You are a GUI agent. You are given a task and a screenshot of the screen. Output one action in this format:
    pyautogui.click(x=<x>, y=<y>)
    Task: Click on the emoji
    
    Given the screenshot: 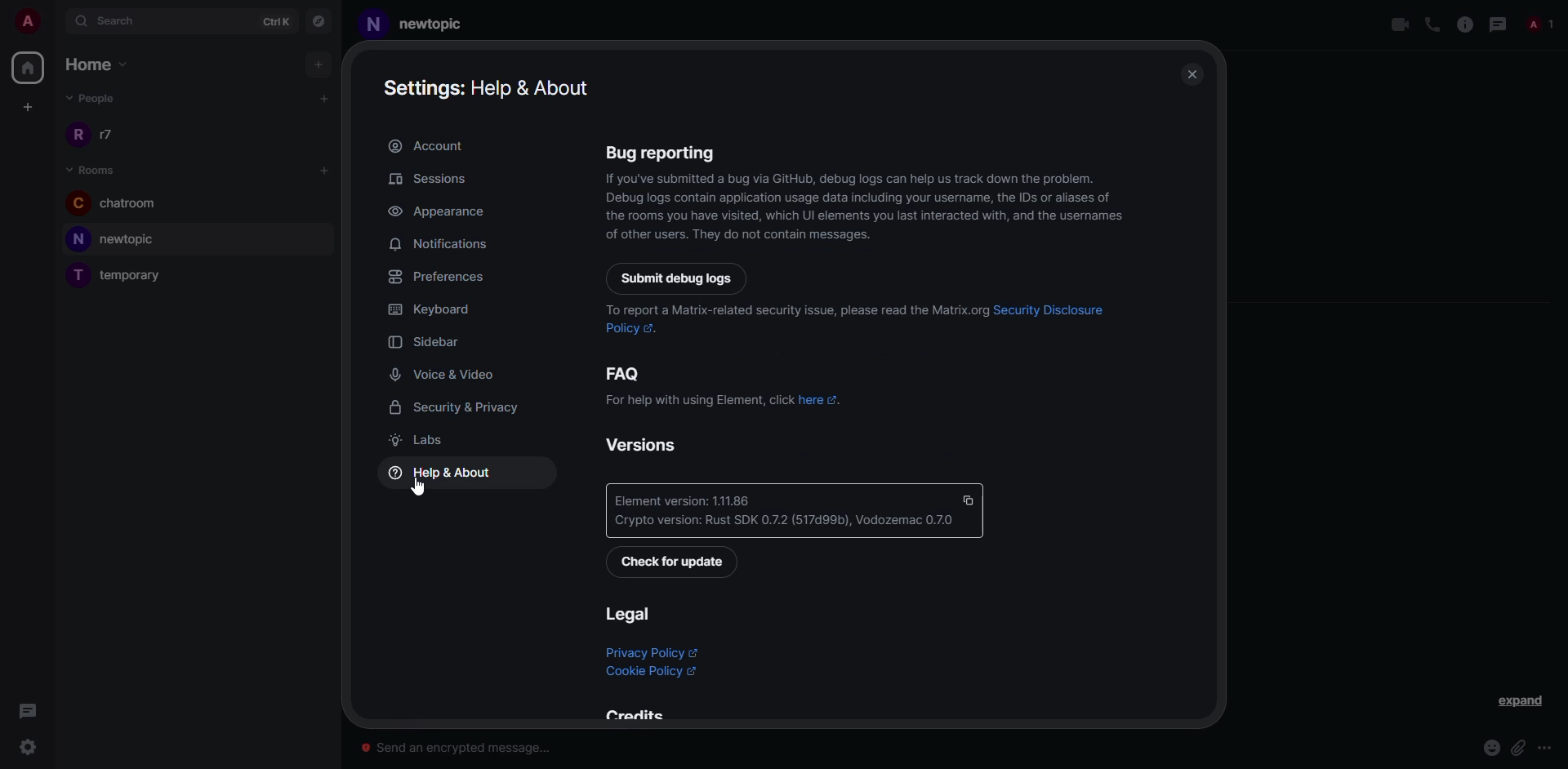 What is the action you would take?
    pyautogui.click(x=1490, y=749)
    